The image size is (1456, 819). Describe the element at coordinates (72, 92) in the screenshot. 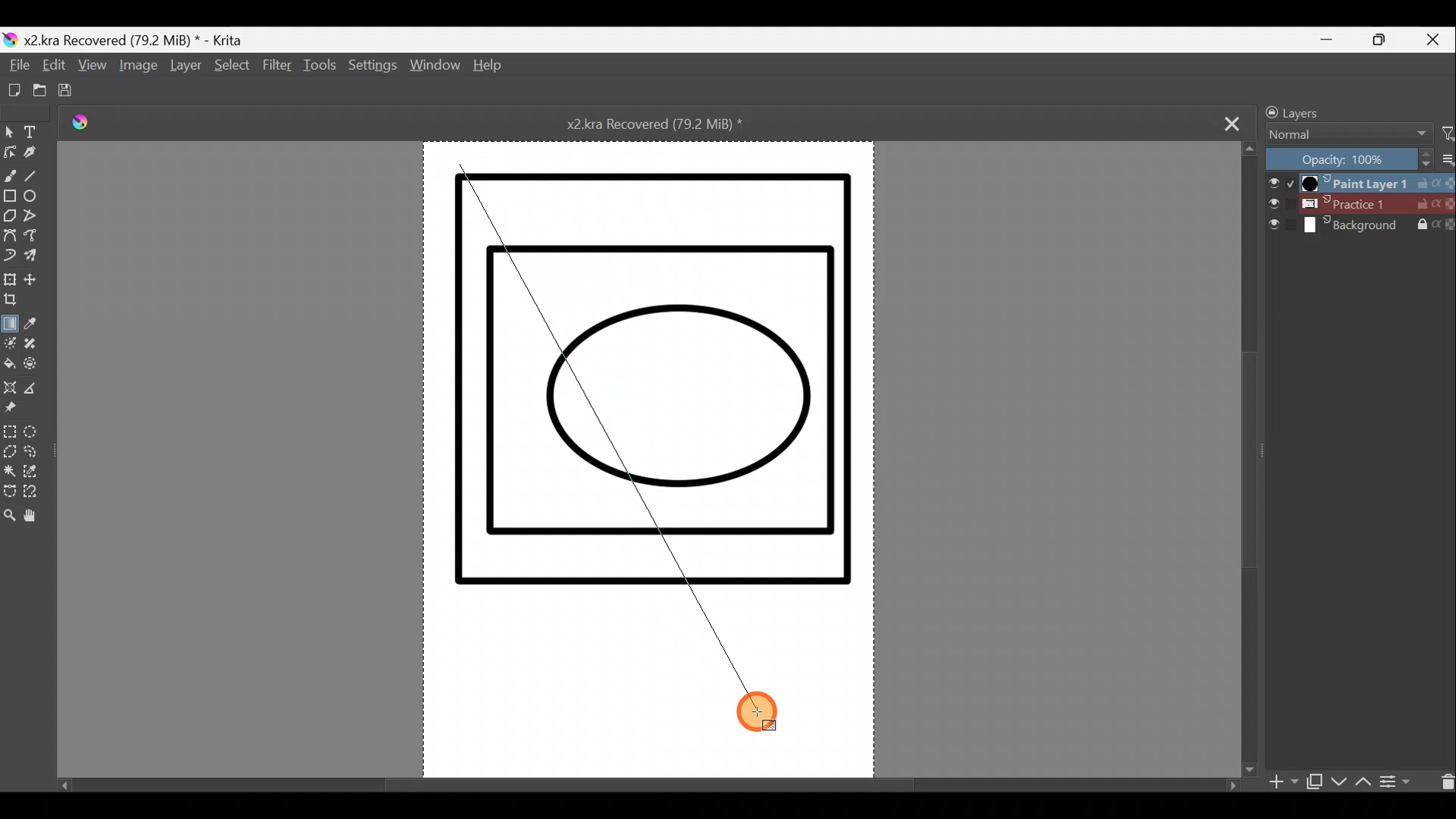

I see `Save` at that location.